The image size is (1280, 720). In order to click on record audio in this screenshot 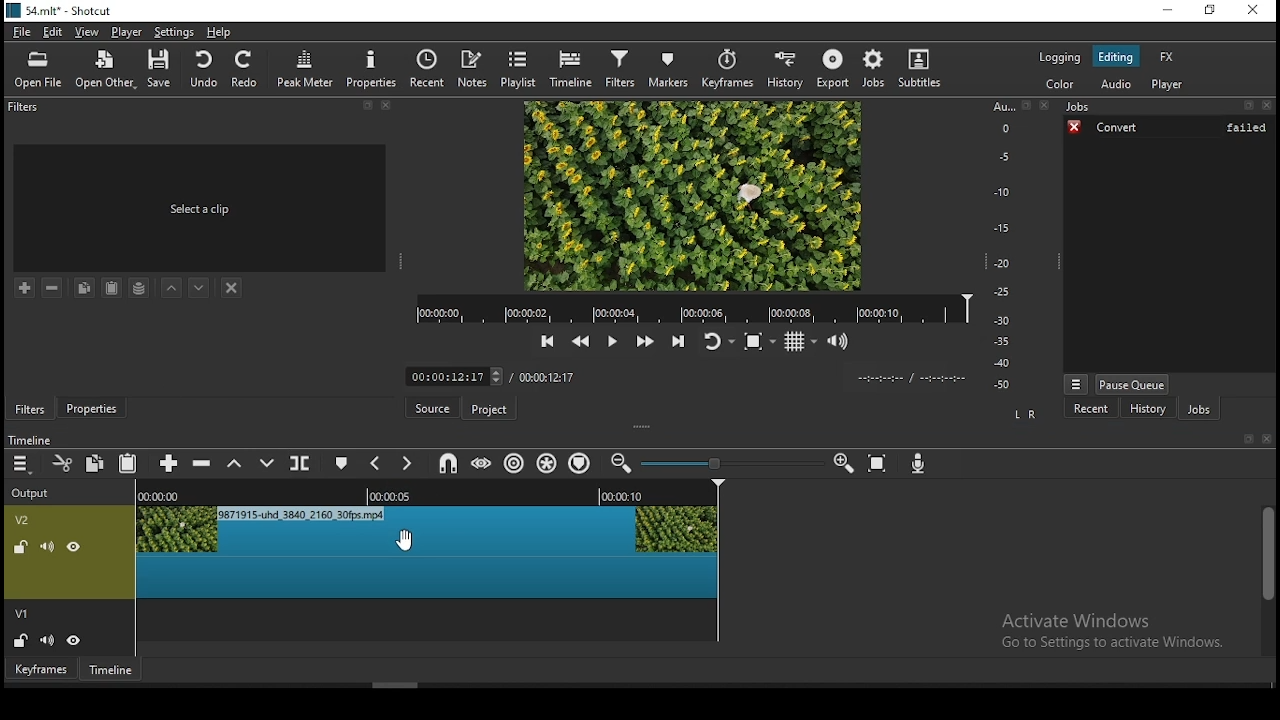, I will do `click(917, 465)`.